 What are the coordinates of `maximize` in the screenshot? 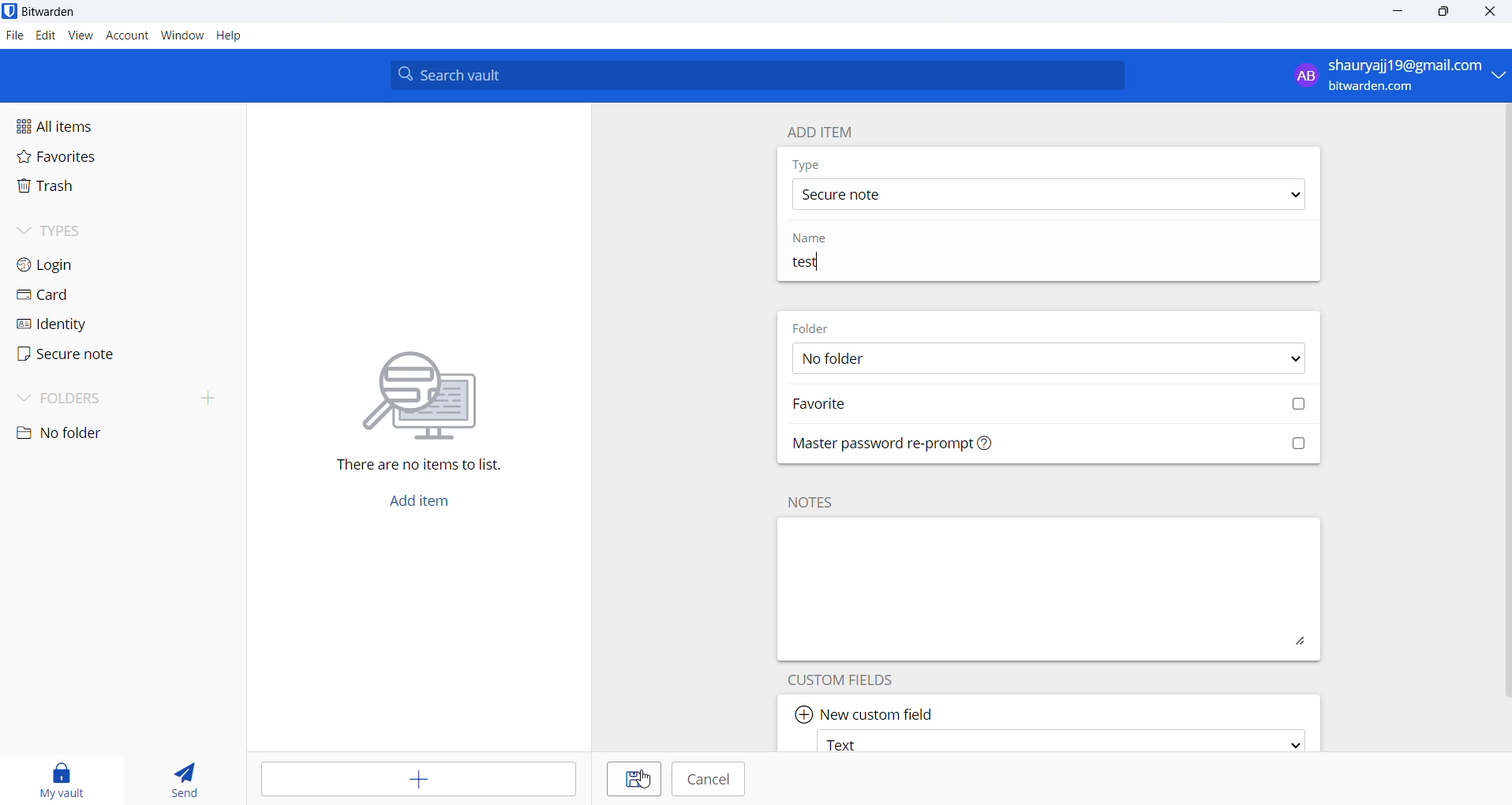 It's located at (1444, 12).